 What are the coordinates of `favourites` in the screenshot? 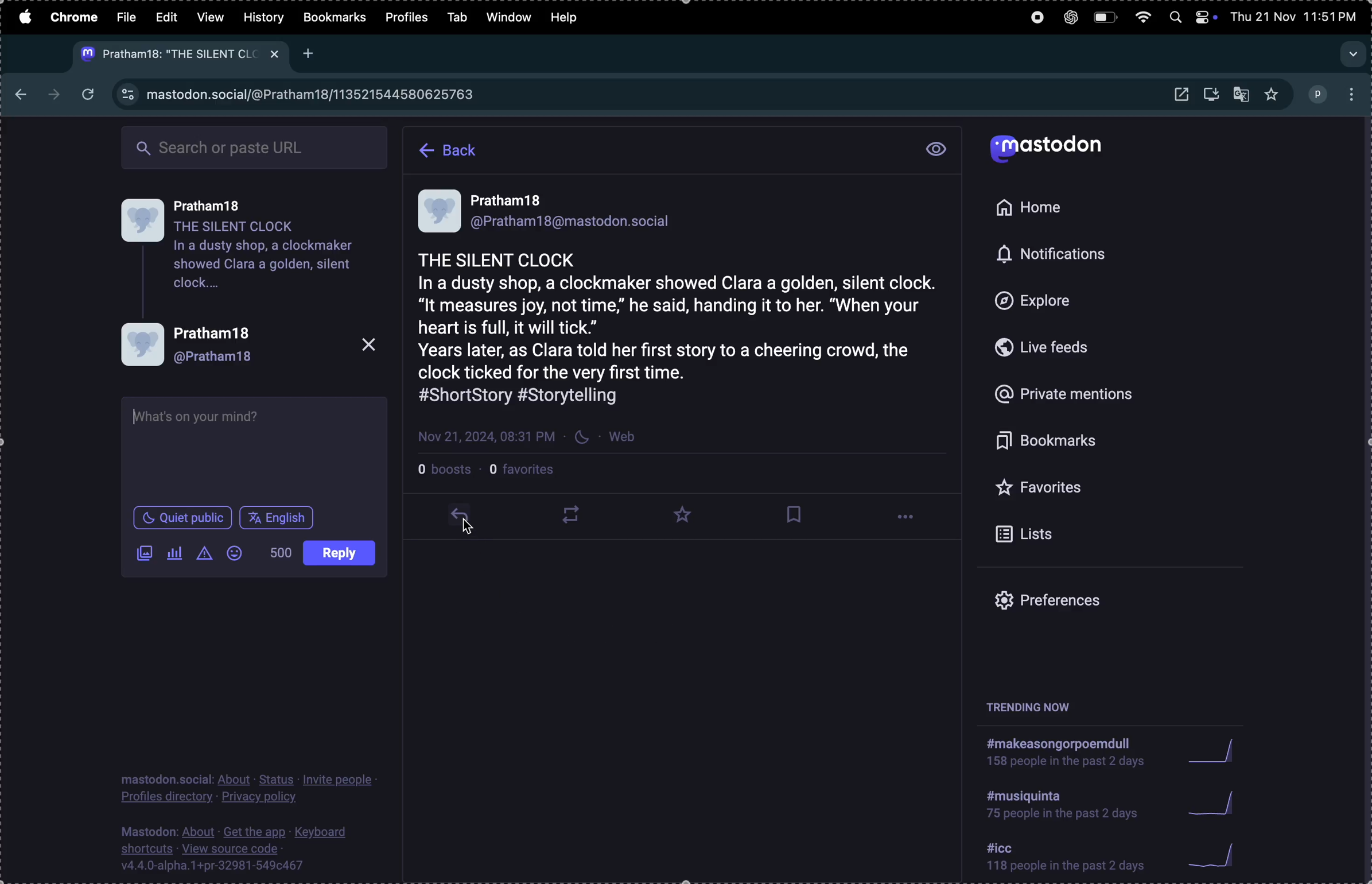 It's located at (687, 514).